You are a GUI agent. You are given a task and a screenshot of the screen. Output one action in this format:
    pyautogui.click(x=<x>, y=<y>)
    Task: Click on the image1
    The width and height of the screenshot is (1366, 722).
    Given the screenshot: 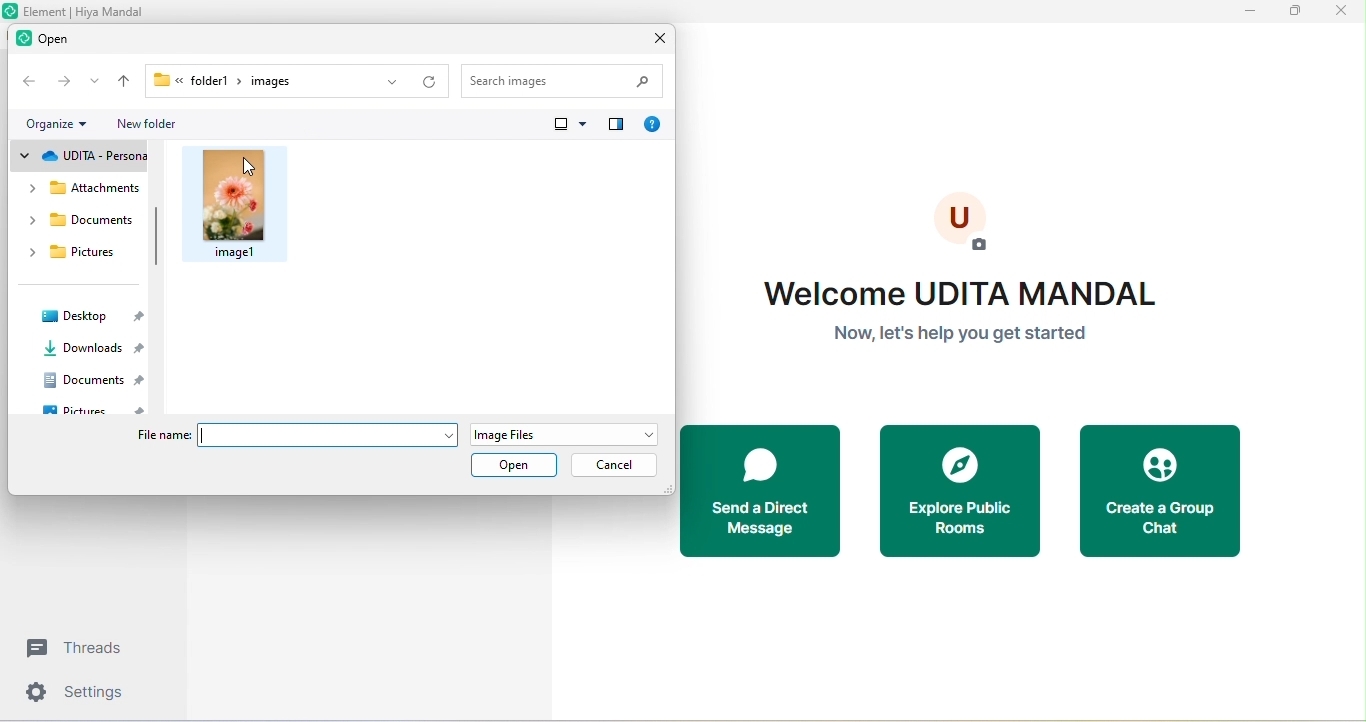 What is the action you would take?
    pyautogui.click(x=247, y=201)
    